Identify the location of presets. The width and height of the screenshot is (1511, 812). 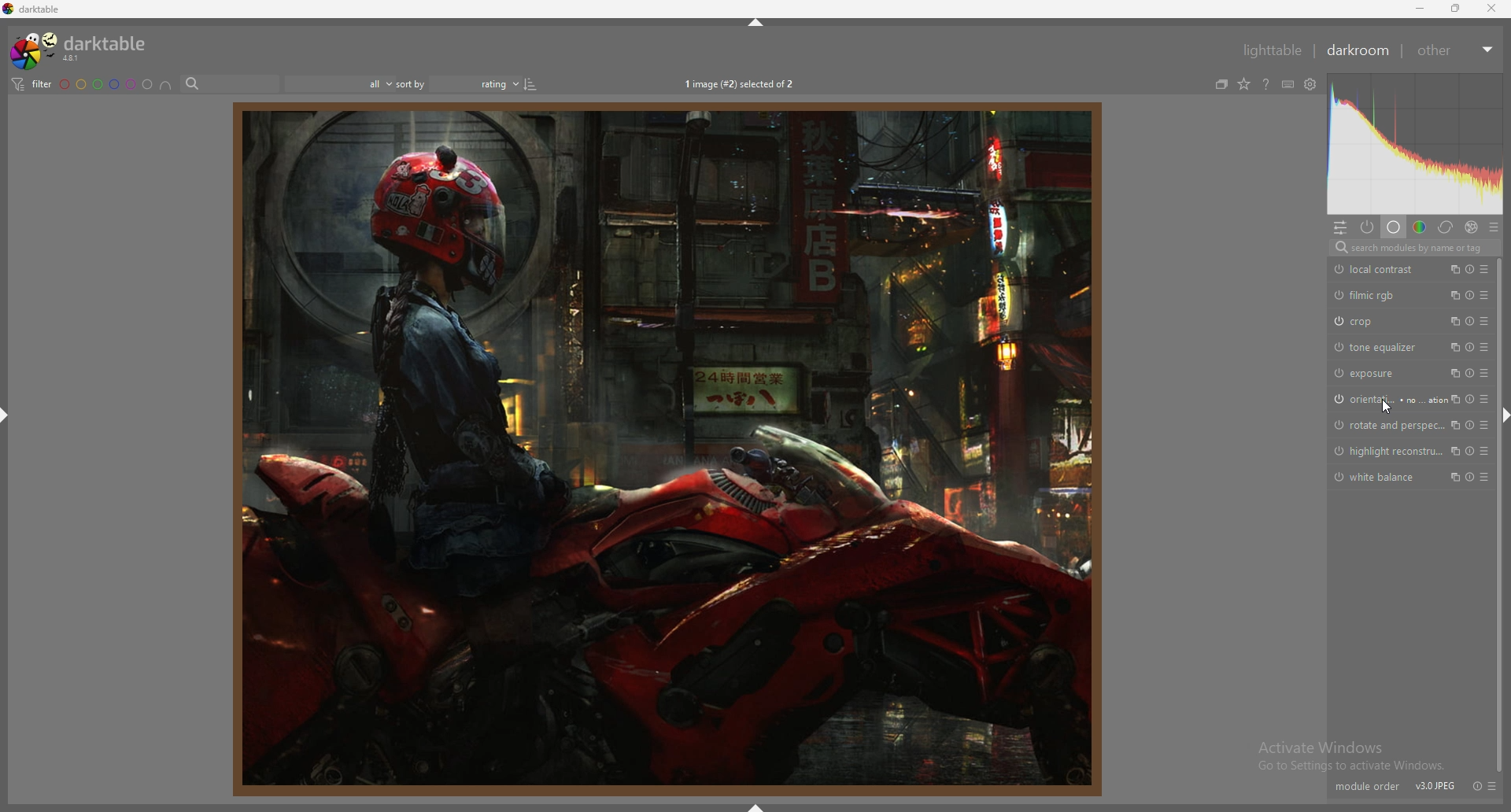
(1484, 476).